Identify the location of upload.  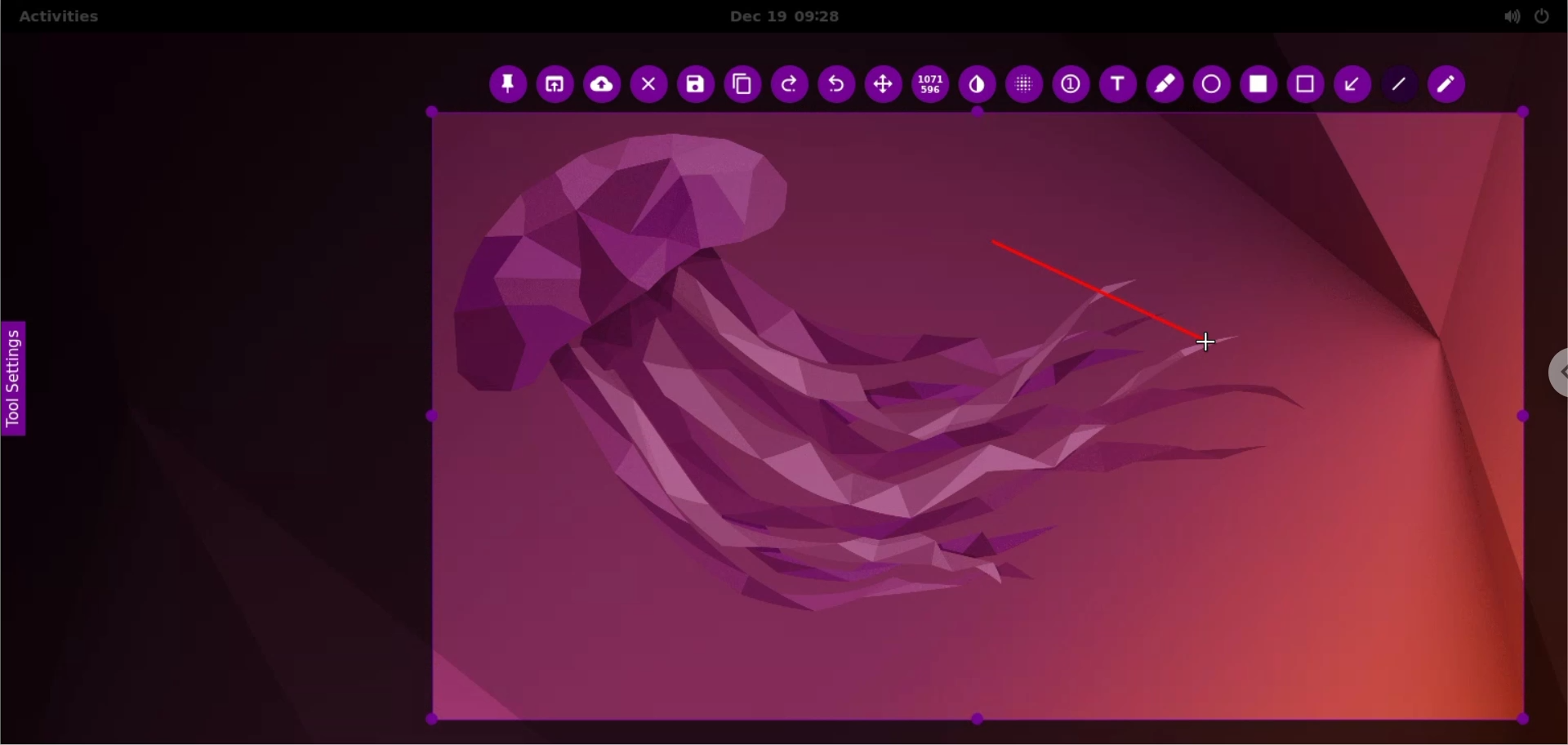
(604, 85).